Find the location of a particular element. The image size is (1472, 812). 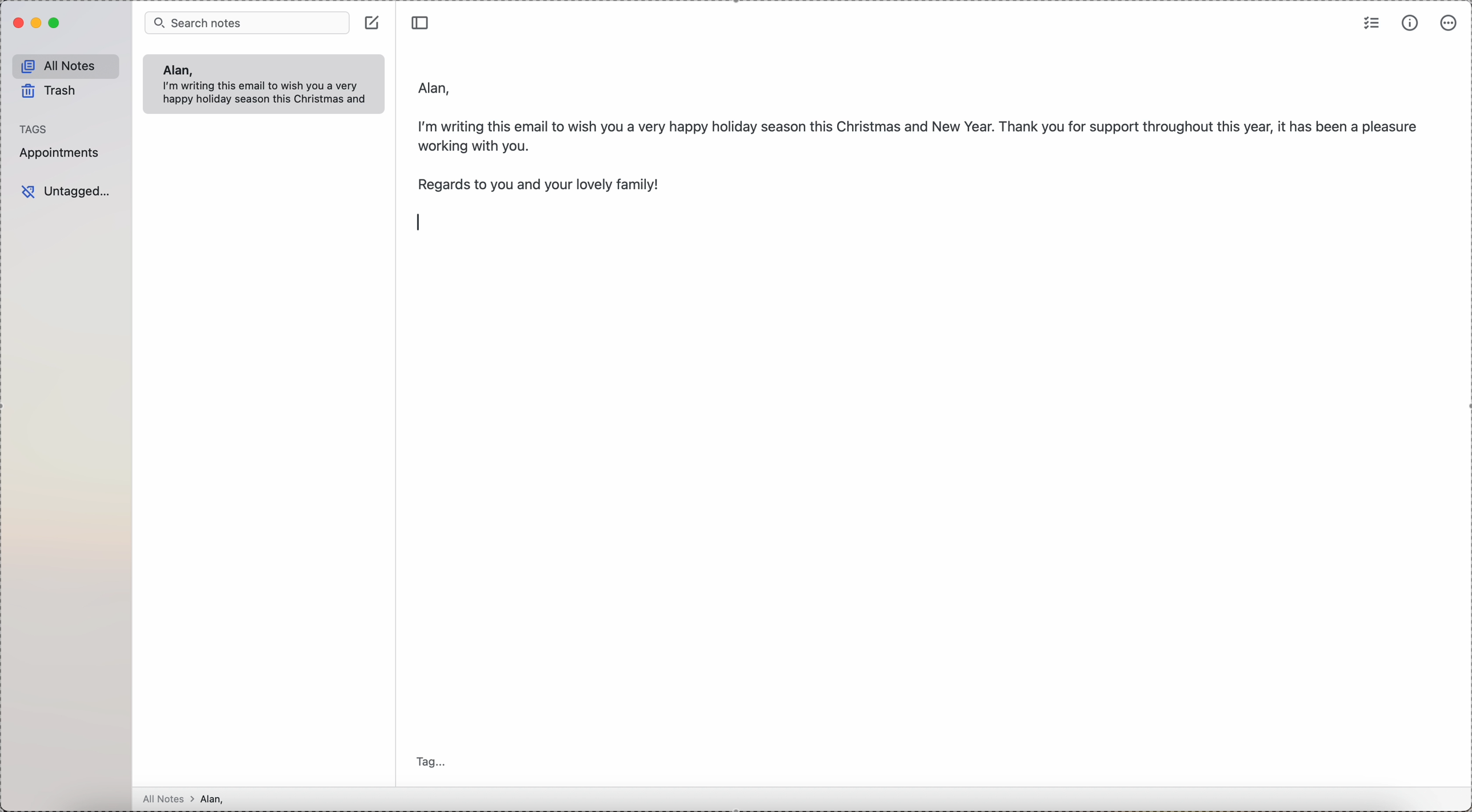

more options is located at coordinates (1449, 23).